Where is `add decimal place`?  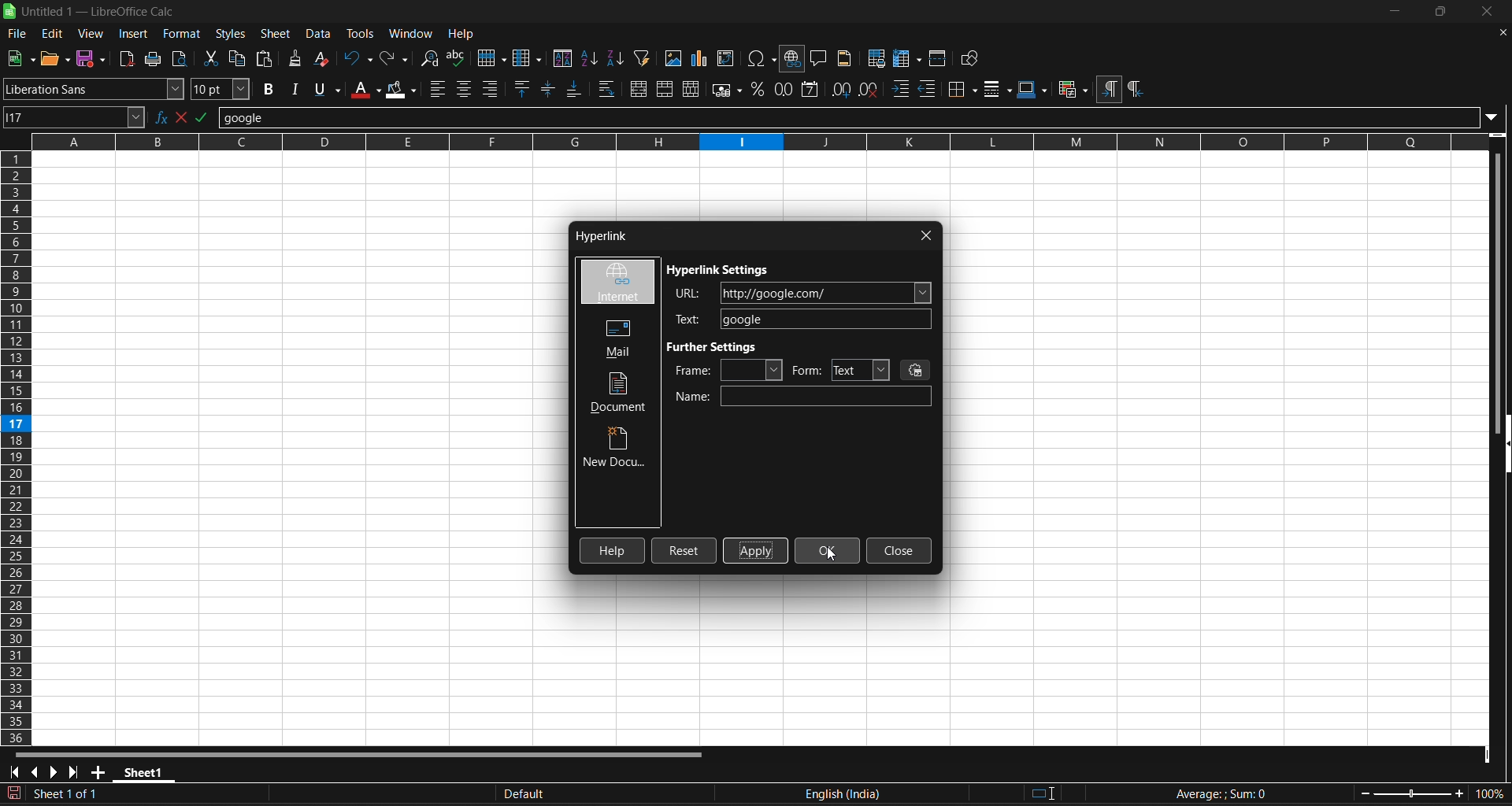 add decimal place is located at coordinates (839, 89).